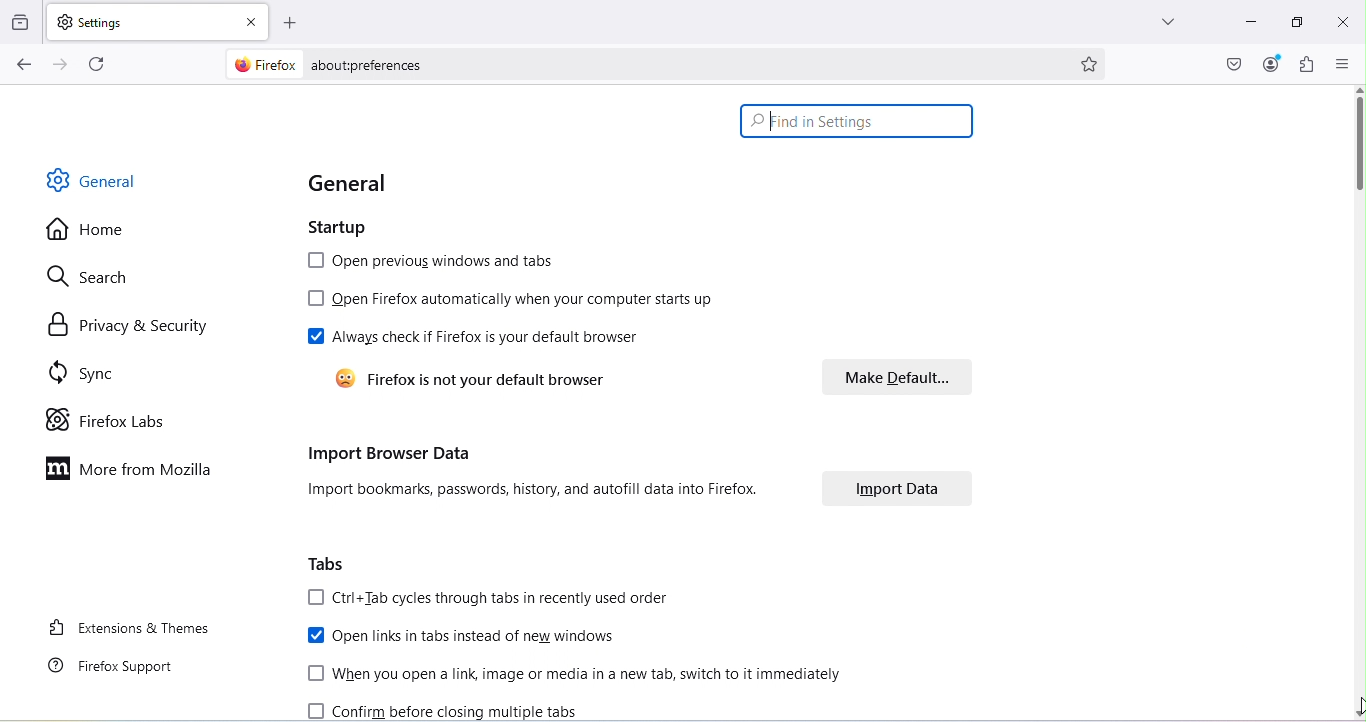  What do you see at coordinates (1271, 65) in the screenshot?
I see `Account` at bounding box center [1271, 65].